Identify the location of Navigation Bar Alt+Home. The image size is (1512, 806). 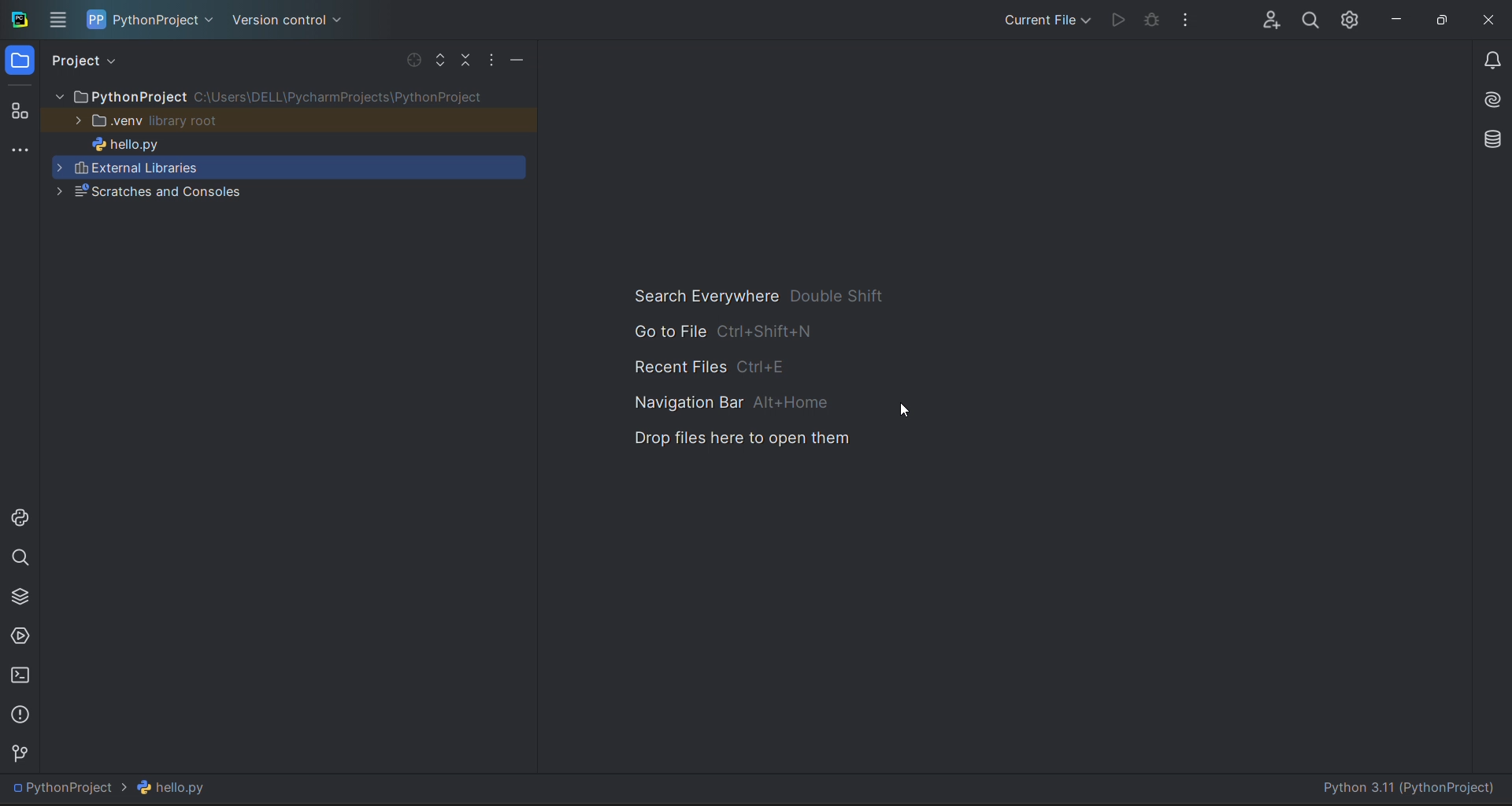
(722, 402).